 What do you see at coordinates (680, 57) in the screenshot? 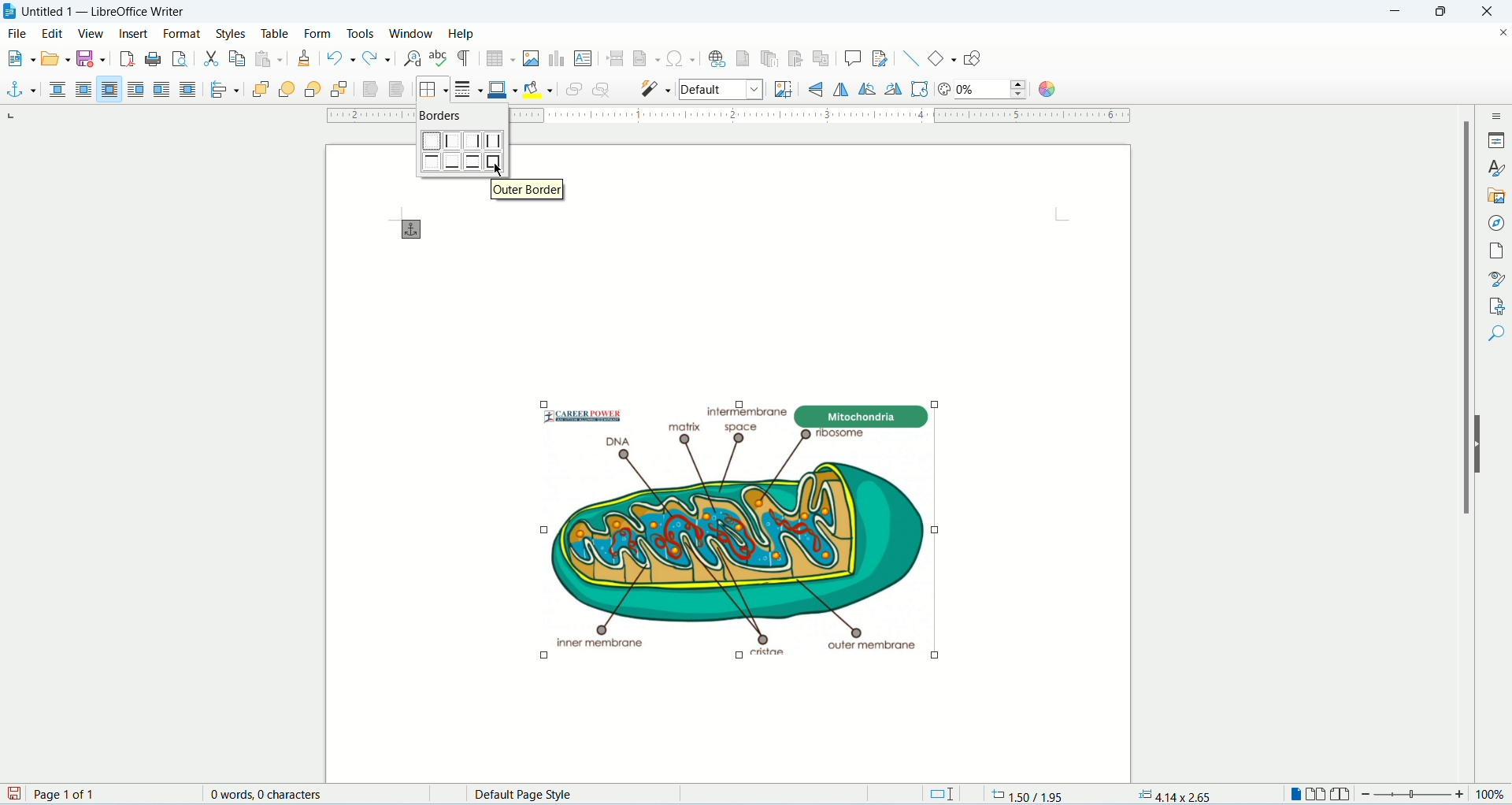
I see `insert symbol` at bounding box center [680, 57].